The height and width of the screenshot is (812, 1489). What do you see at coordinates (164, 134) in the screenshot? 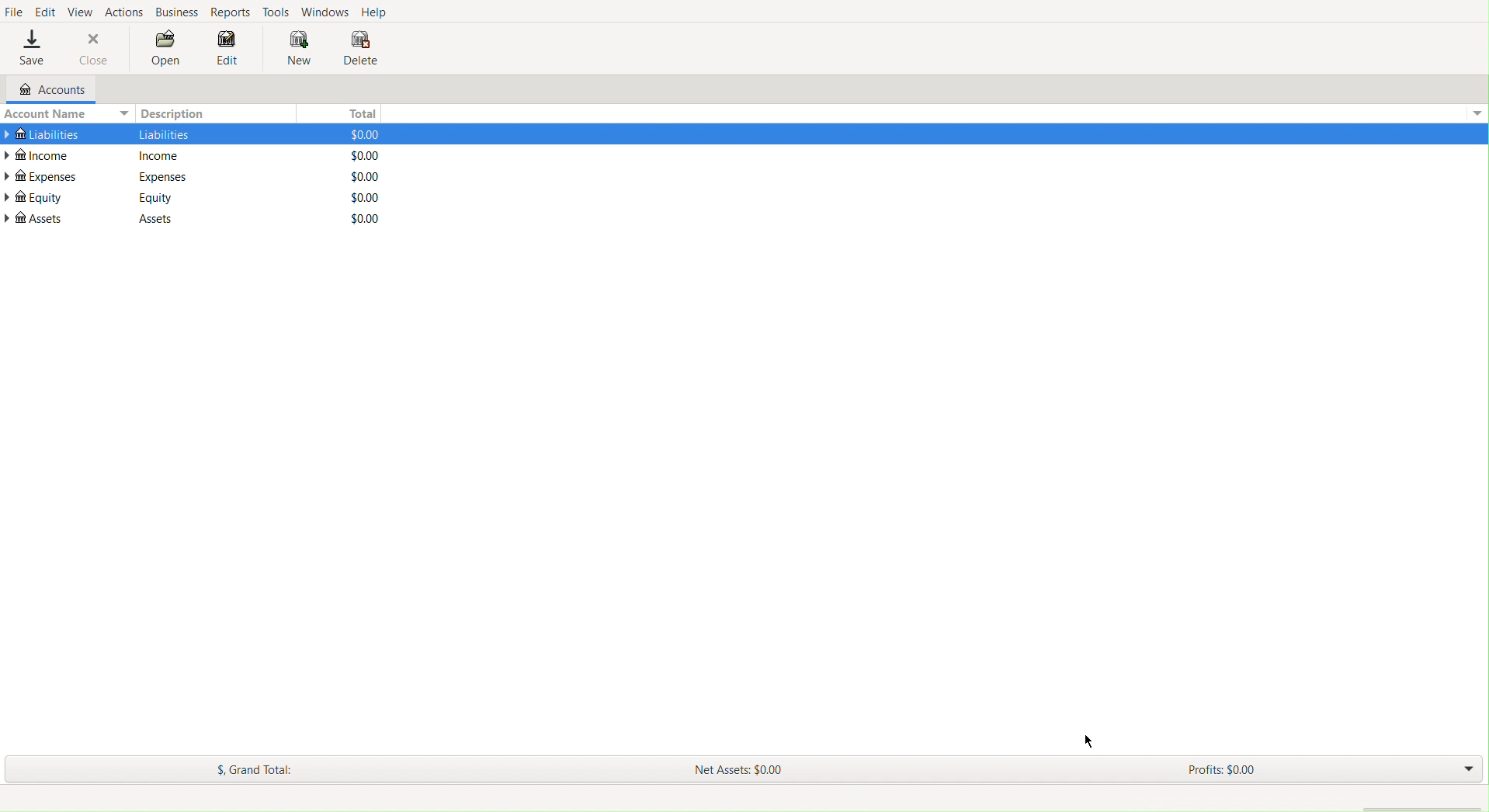
I see `liabilities` at bounding box center [164, 134].